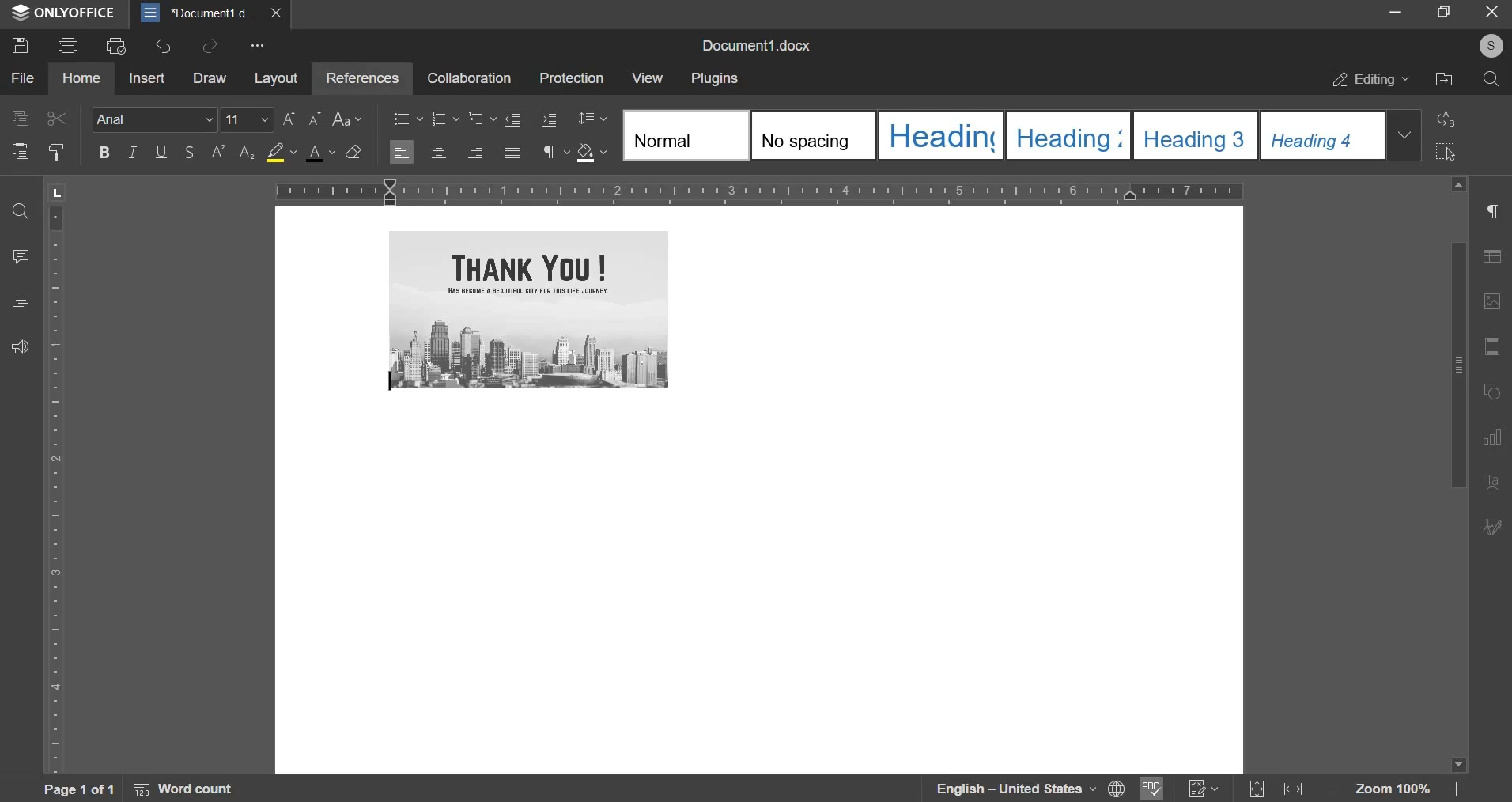 Image resolution: width=1512 pixels, height=802 pixels. I want to click on decrease indent, so click(512, 119).